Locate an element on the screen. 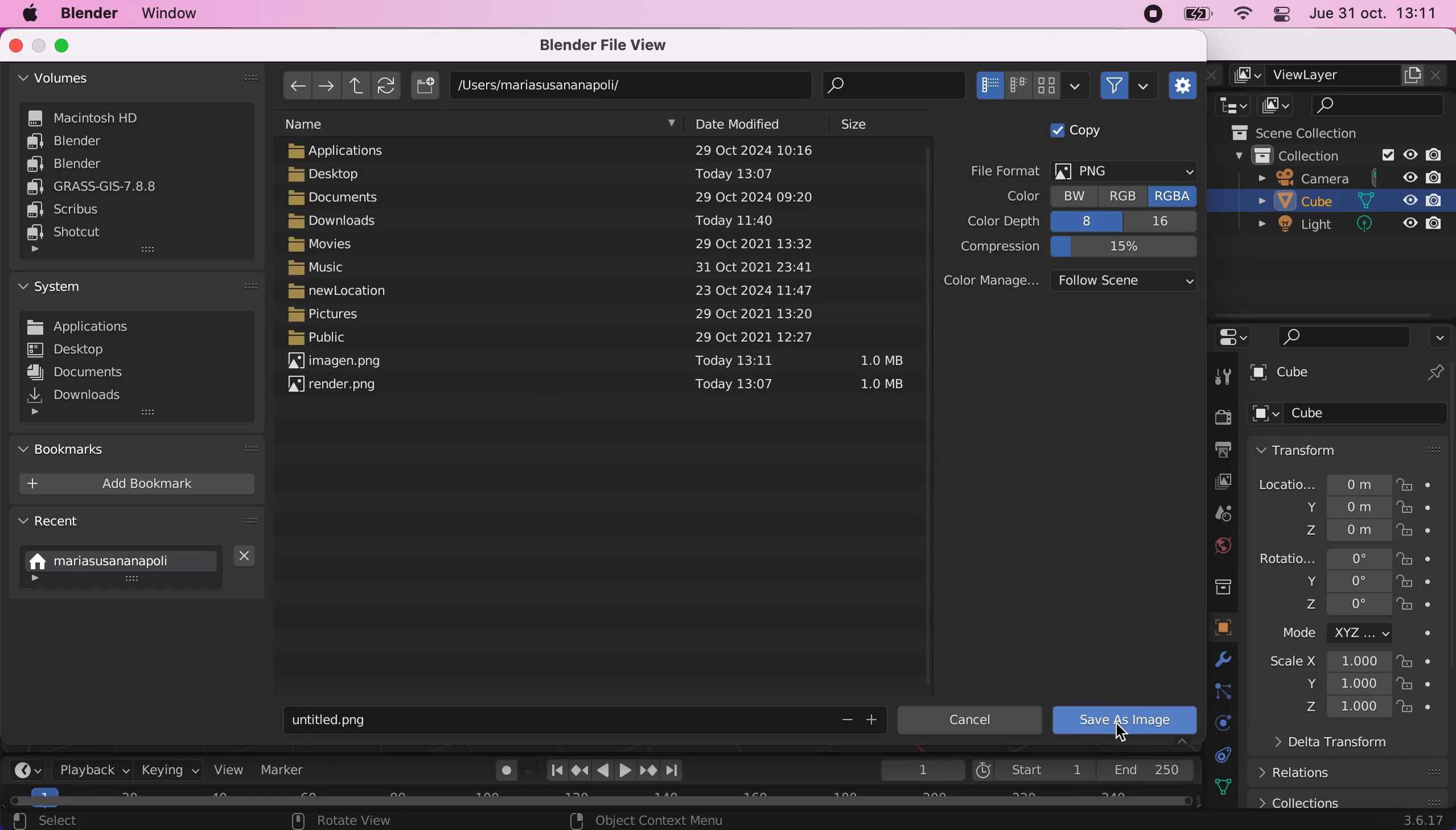 The image size is (1456, 830). lock is located at coordinates (1417, 511).